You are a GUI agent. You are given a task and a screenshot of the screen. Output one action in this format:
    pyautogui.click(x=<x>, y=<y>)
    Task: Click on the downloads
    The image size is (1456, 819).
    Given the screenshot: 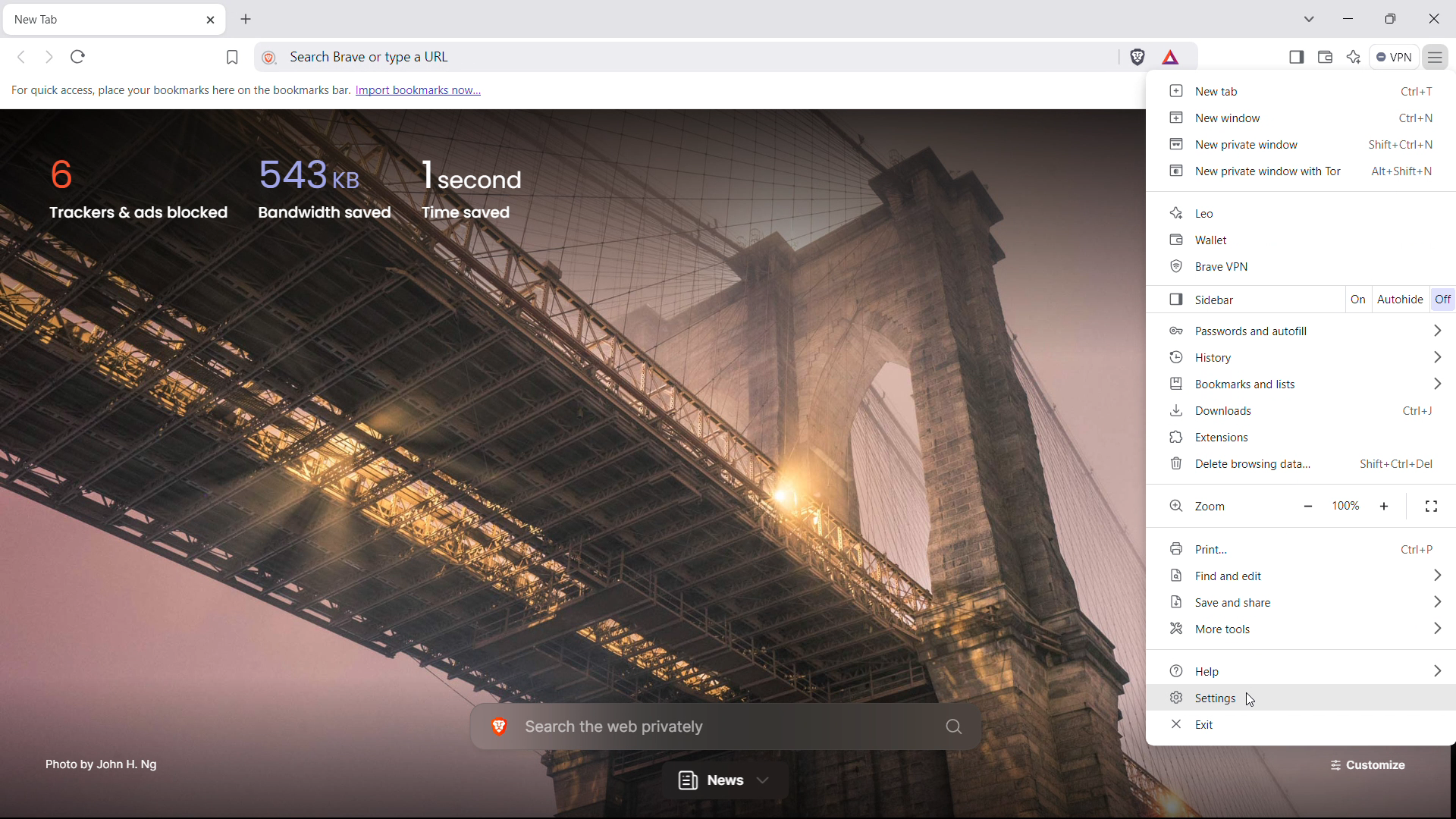 What is the action you would take?
    pyautogui.click(x=1301, y=411)
    